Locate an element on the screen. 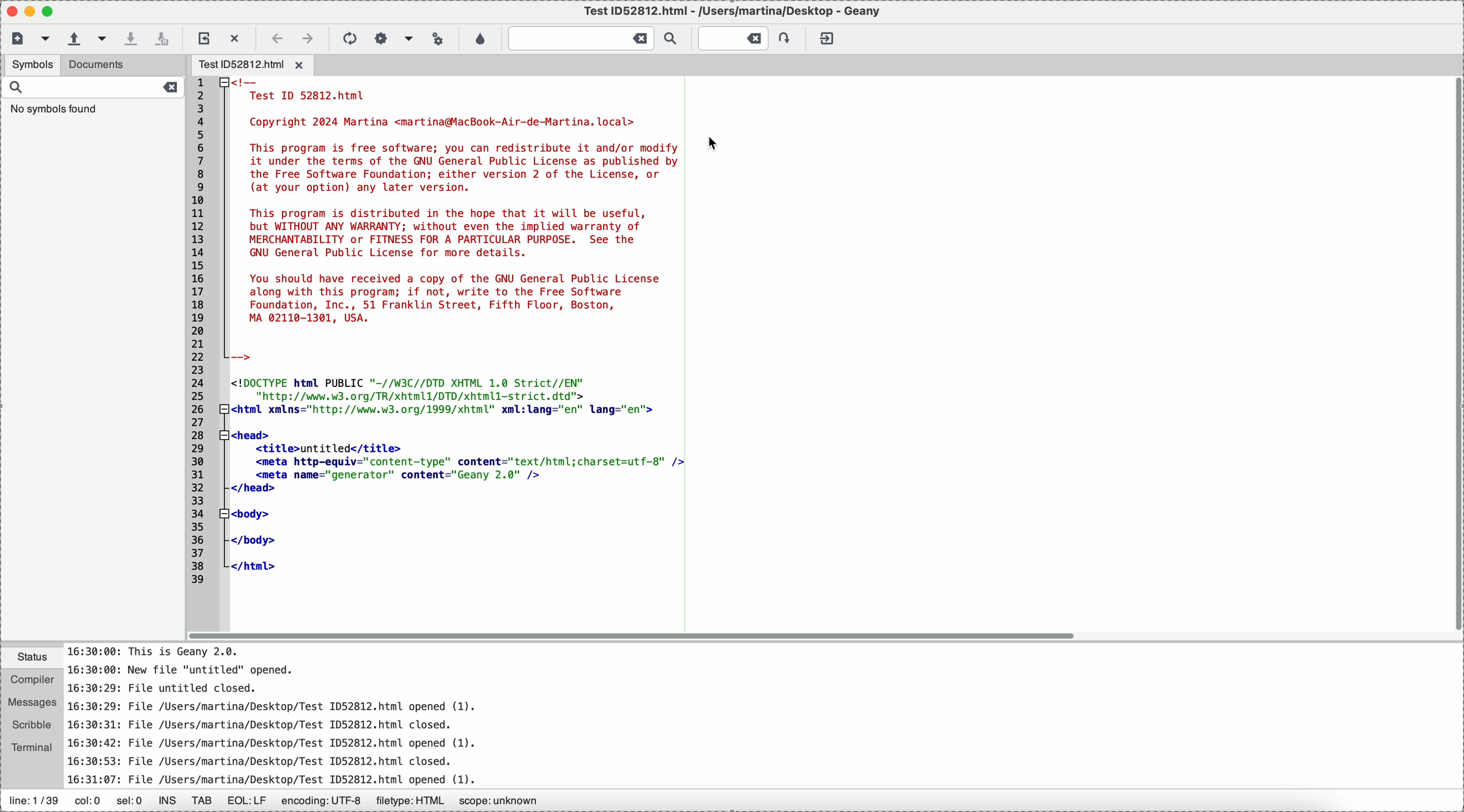 The width and height of the screenshot is (1464, 812). compiler is located at coordinates (32, 681).